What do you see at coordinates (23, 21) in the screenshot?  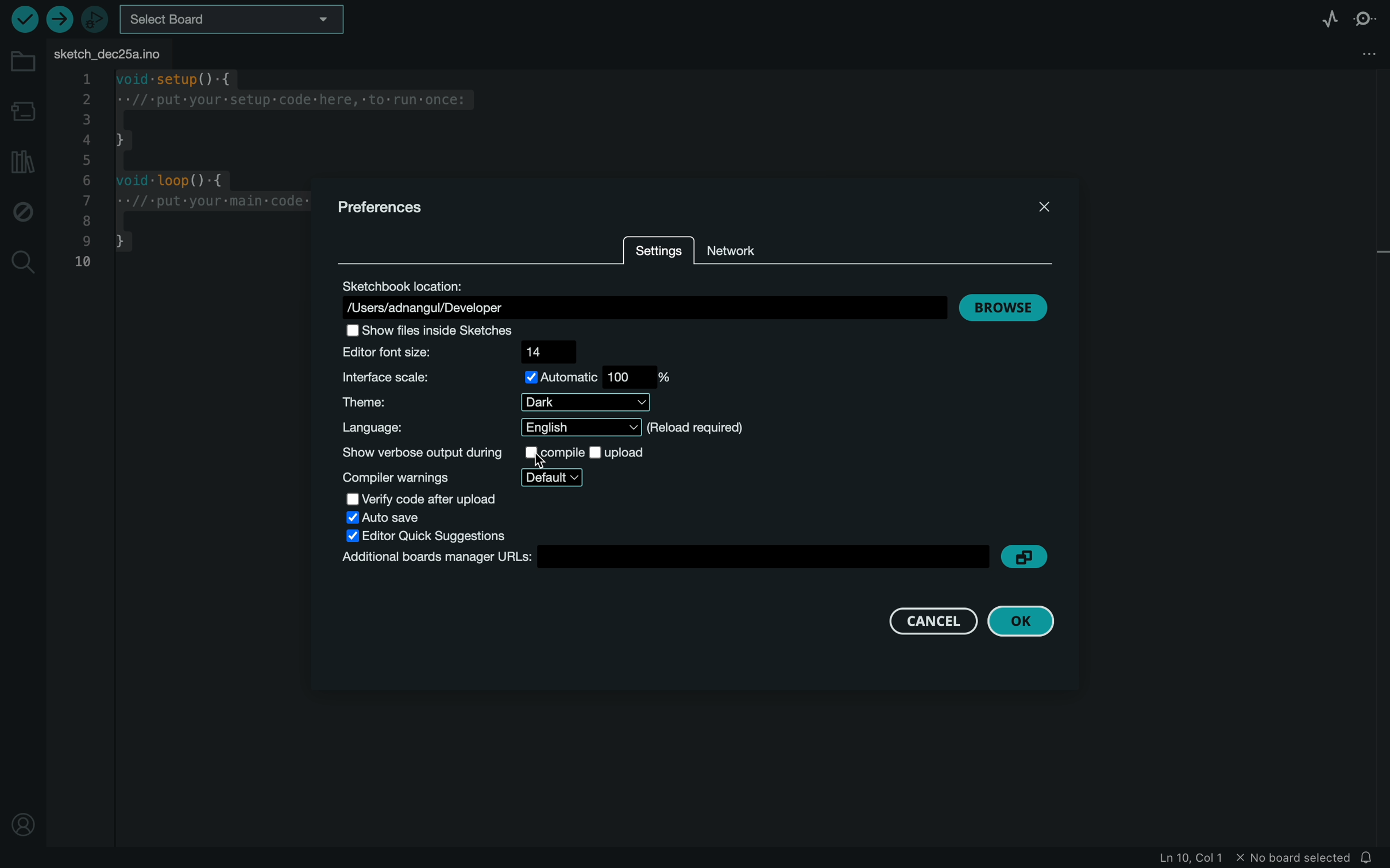 I see `verify` at bounding box center [23, 21].